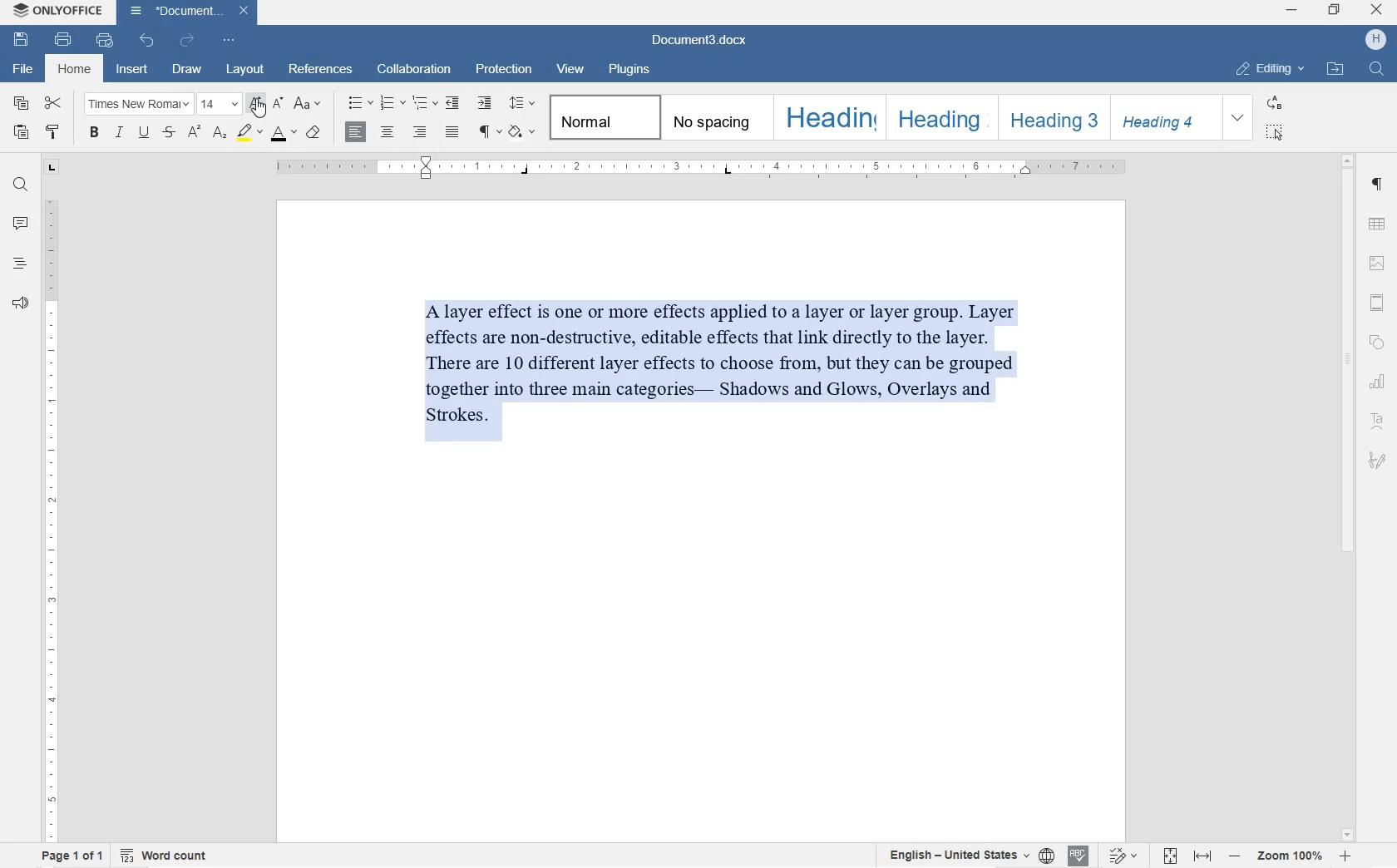  Describe the element at coordinates (121, 131) in the screenshot. I see `ITALIC` at that location.